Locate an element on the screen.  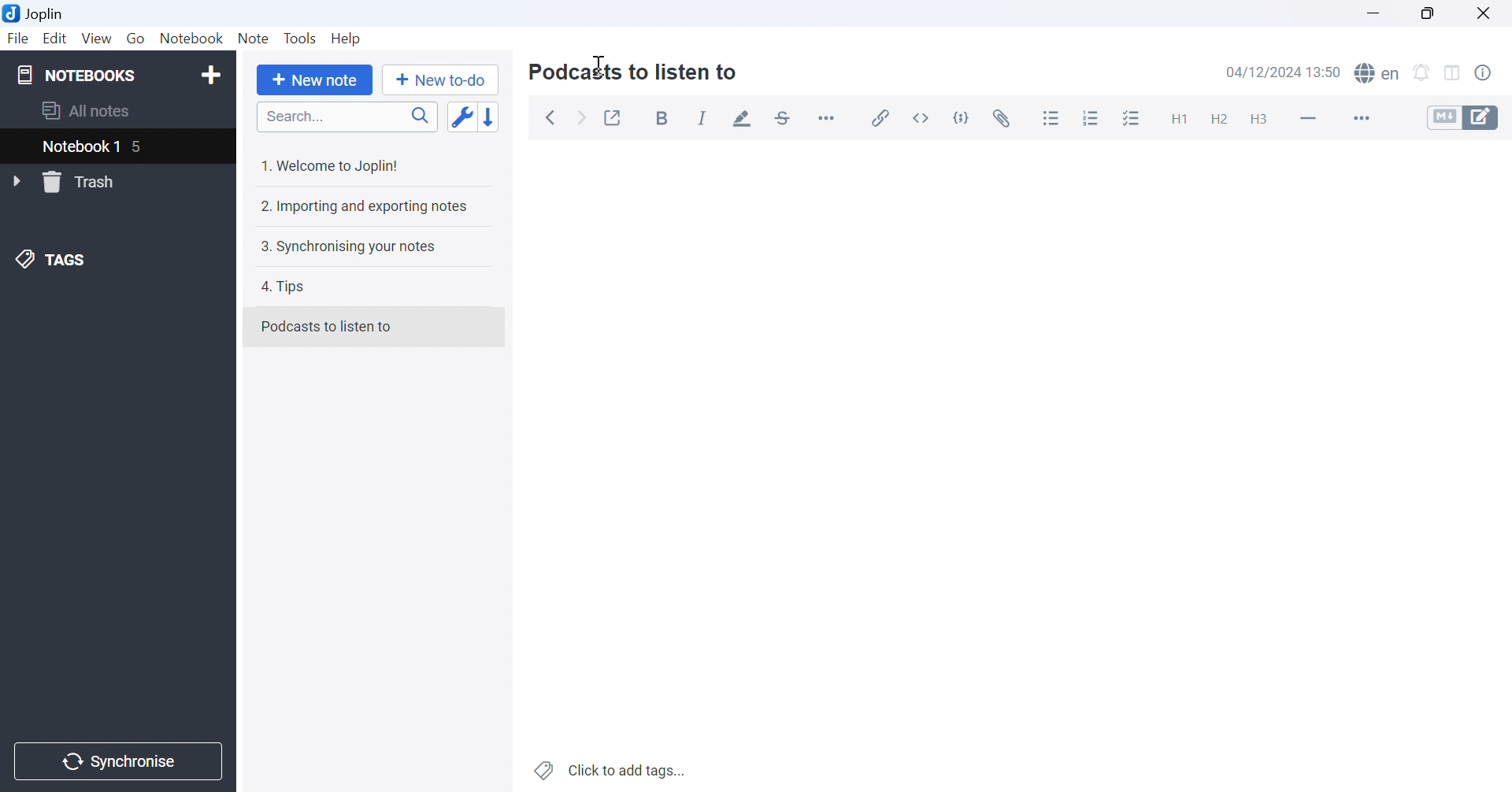
Click to add notes... is located at coordinates (612, 768).